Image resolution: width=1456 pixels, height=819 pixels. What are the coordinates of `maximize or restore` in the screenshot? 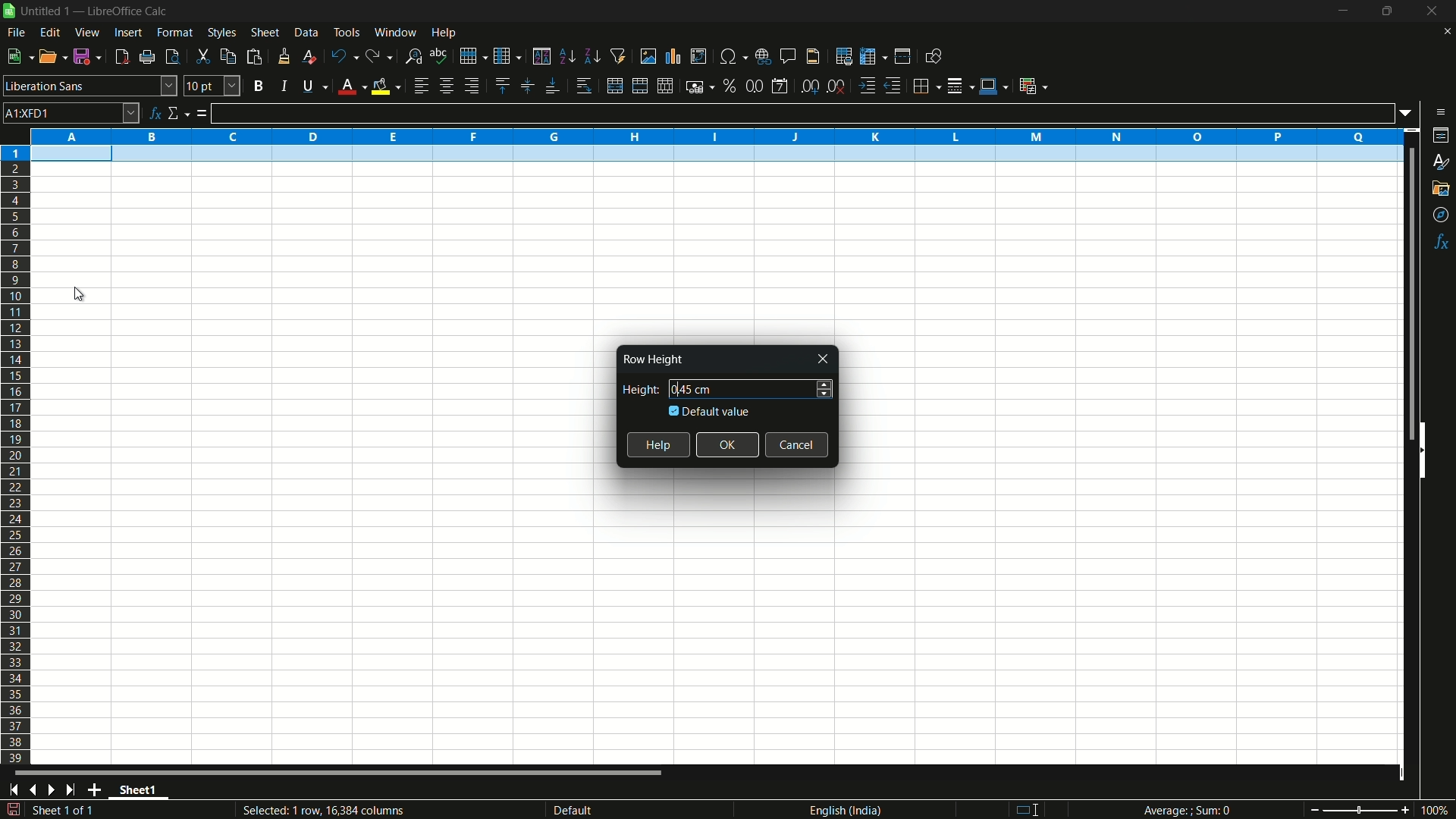 It's located at (1387, 11).